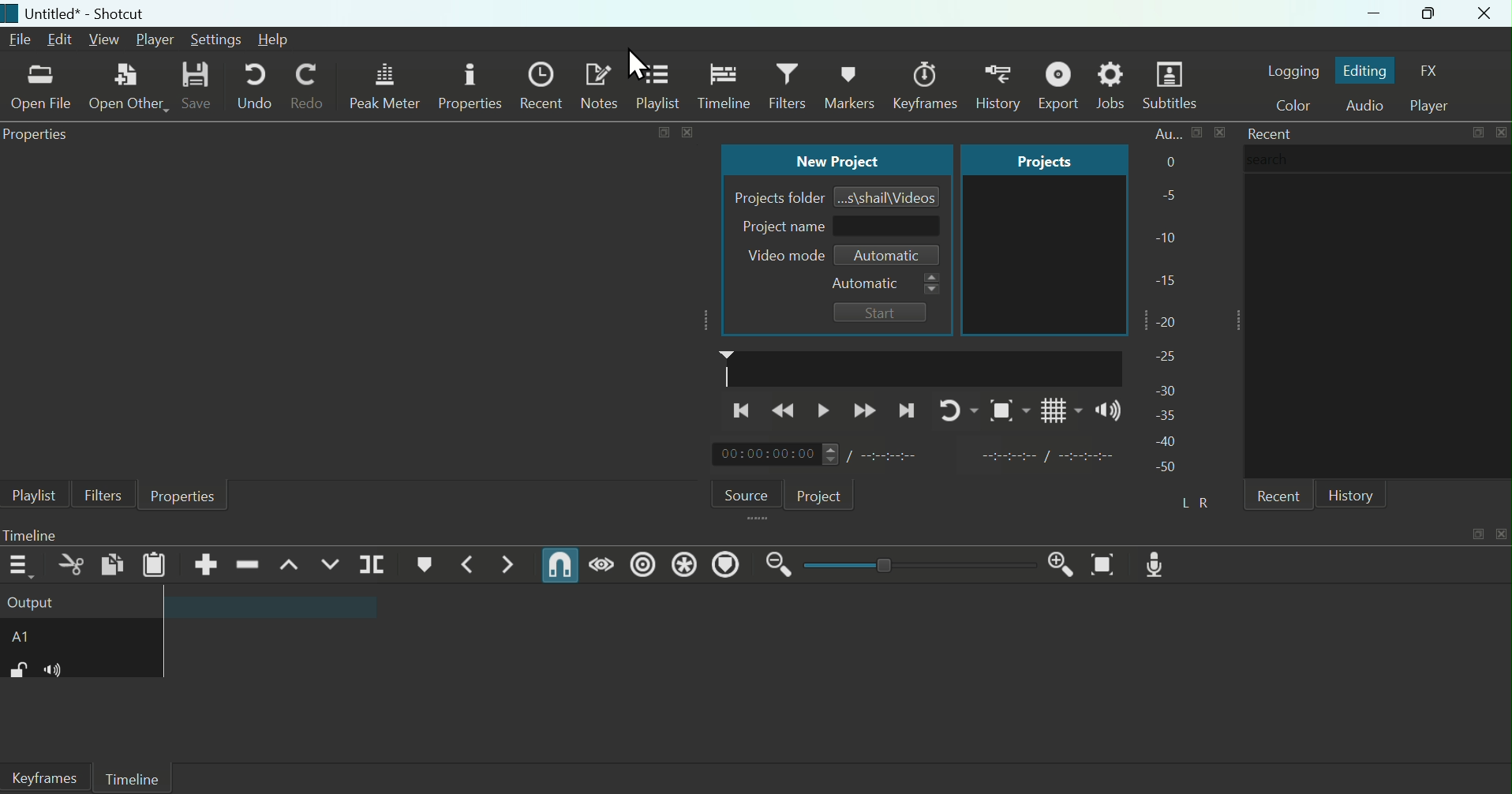  Describe the element at coordinates (155, 566) in the screenshot. I see `Paste` at that location.